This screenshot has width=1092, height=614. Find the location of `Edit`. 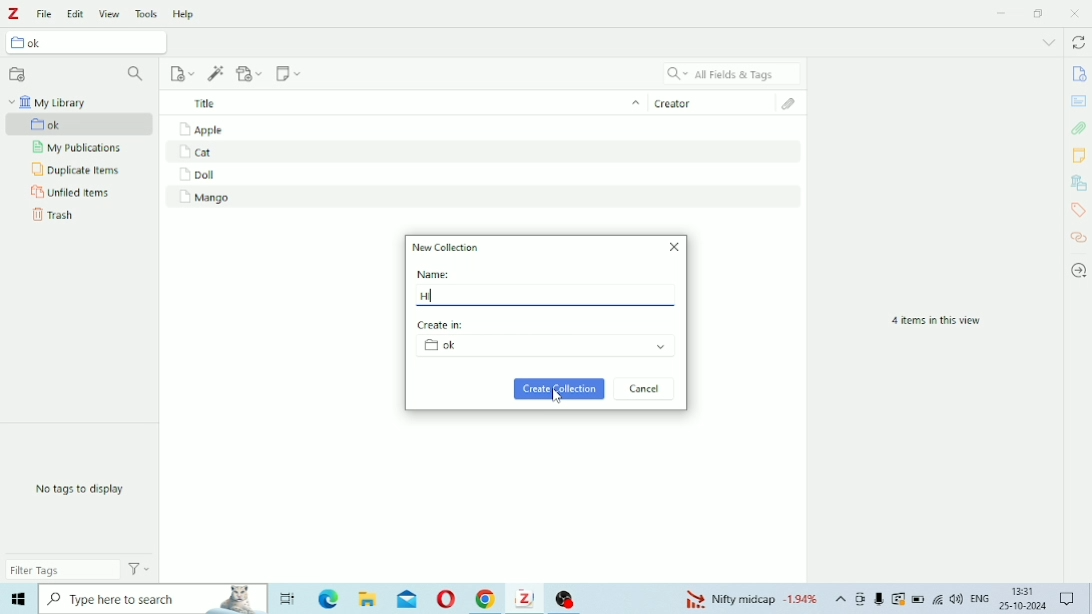

Edit is located at coordinates (74, 14).